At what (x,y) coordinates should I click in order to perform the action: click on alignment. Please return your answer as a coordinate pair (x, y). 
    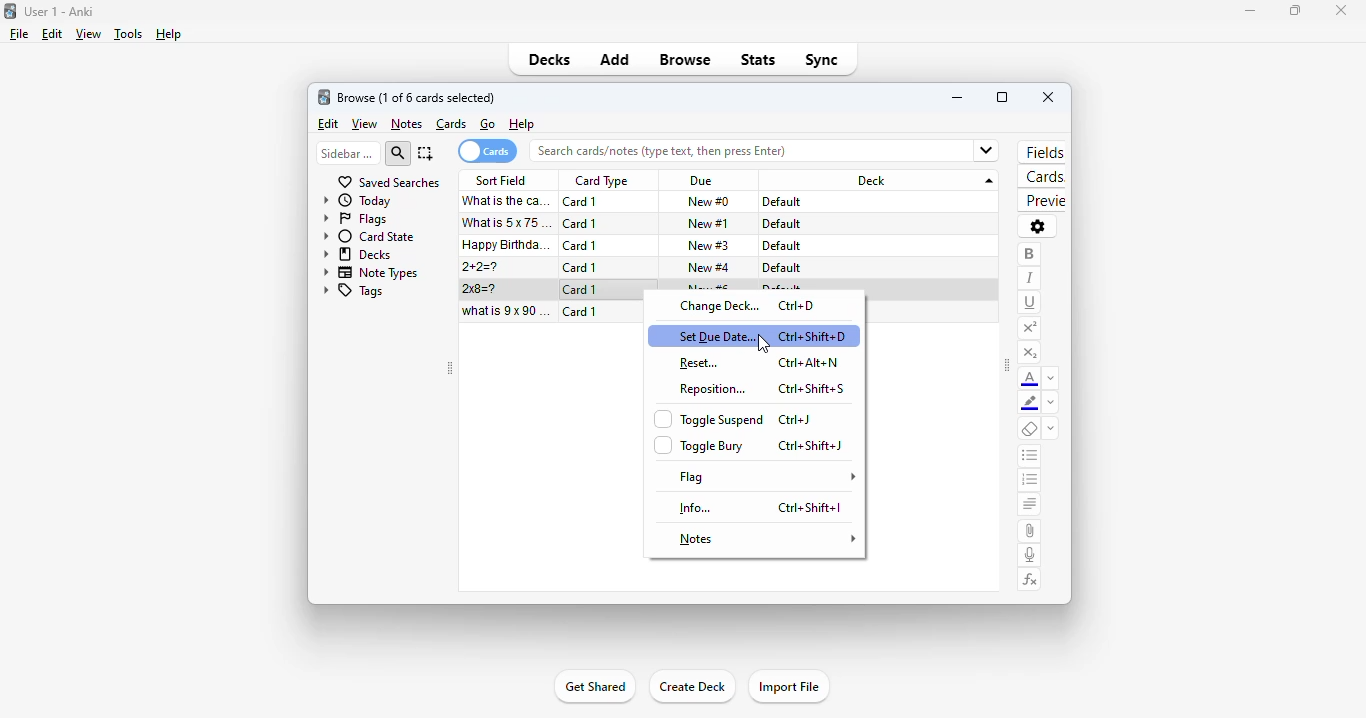
    Looking at the image, I should click on (1029, 506).